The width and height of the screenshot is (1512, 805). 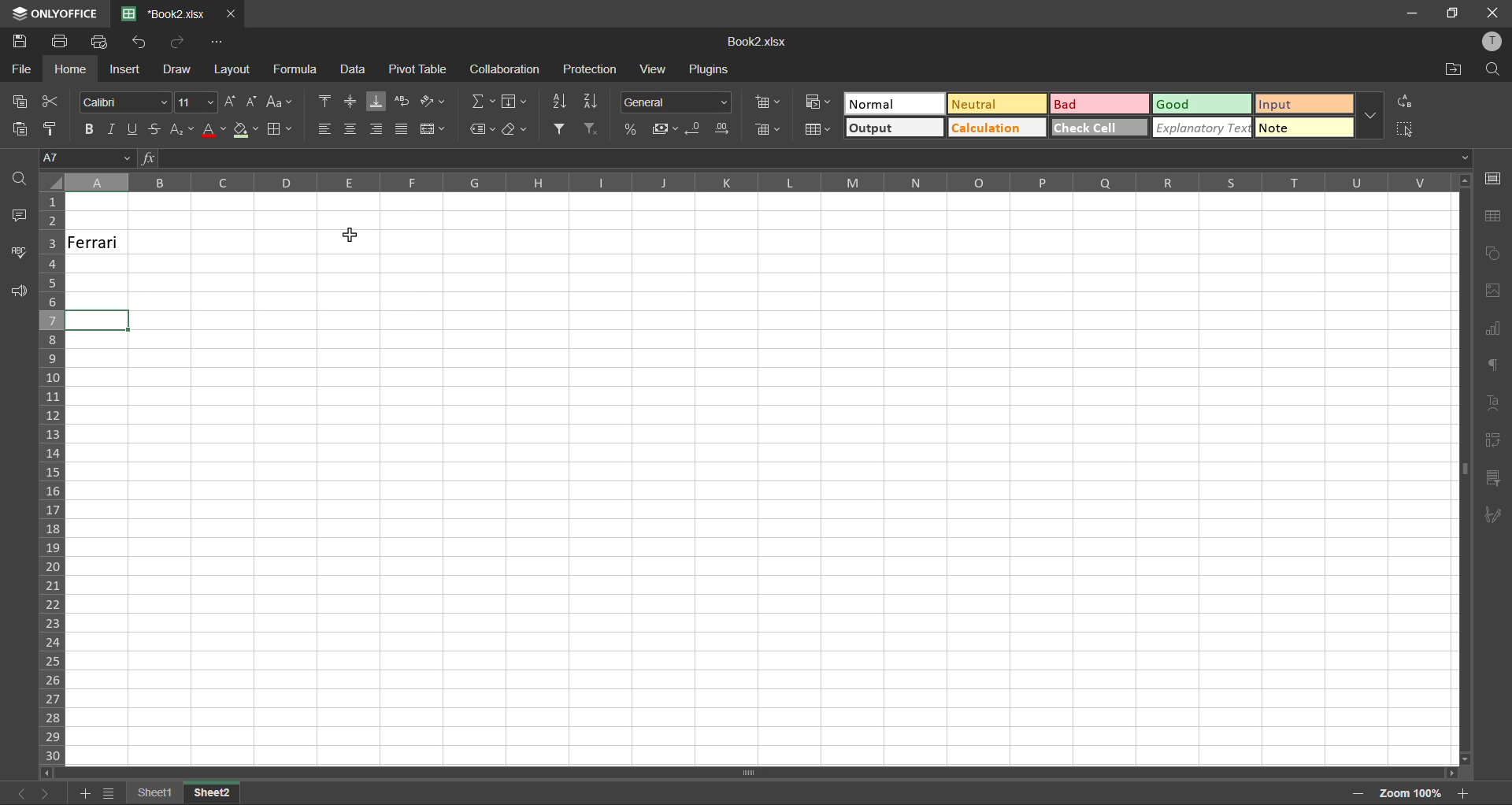 I want to click on insert, so click(x=122, y=70).